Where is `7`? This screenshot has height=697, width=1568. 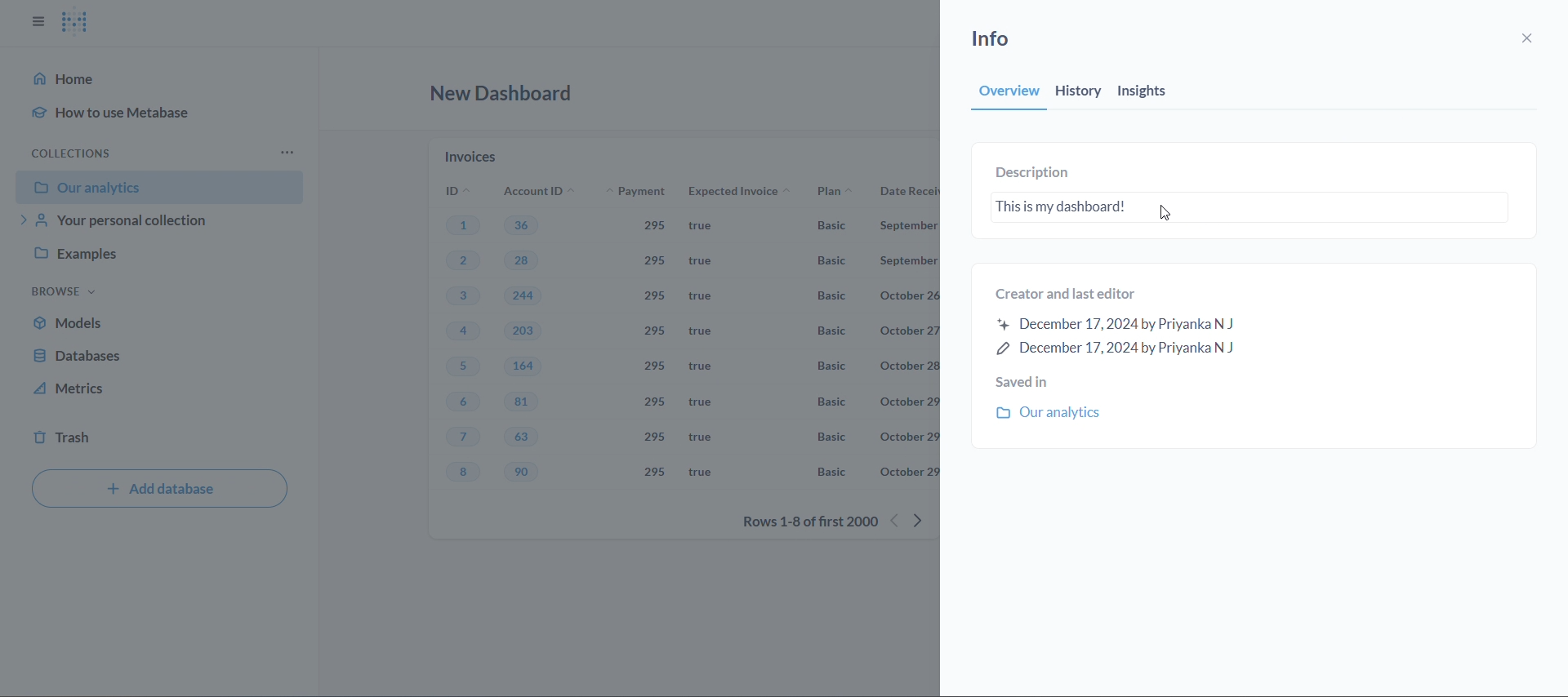 7 is located at coordinates (462, 438).